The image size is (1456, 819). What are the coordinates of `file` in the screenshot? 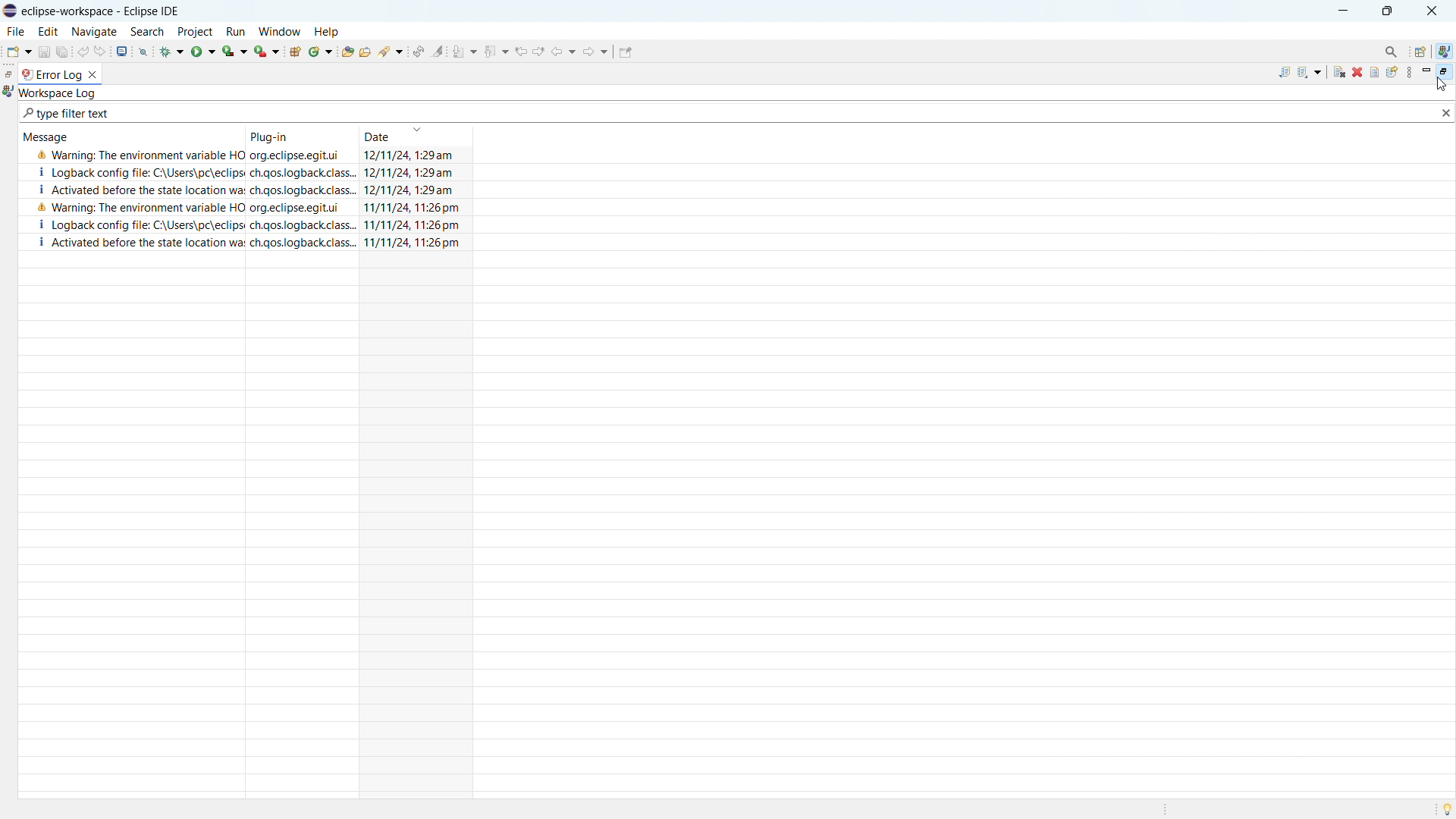 It's located at (14, 31).